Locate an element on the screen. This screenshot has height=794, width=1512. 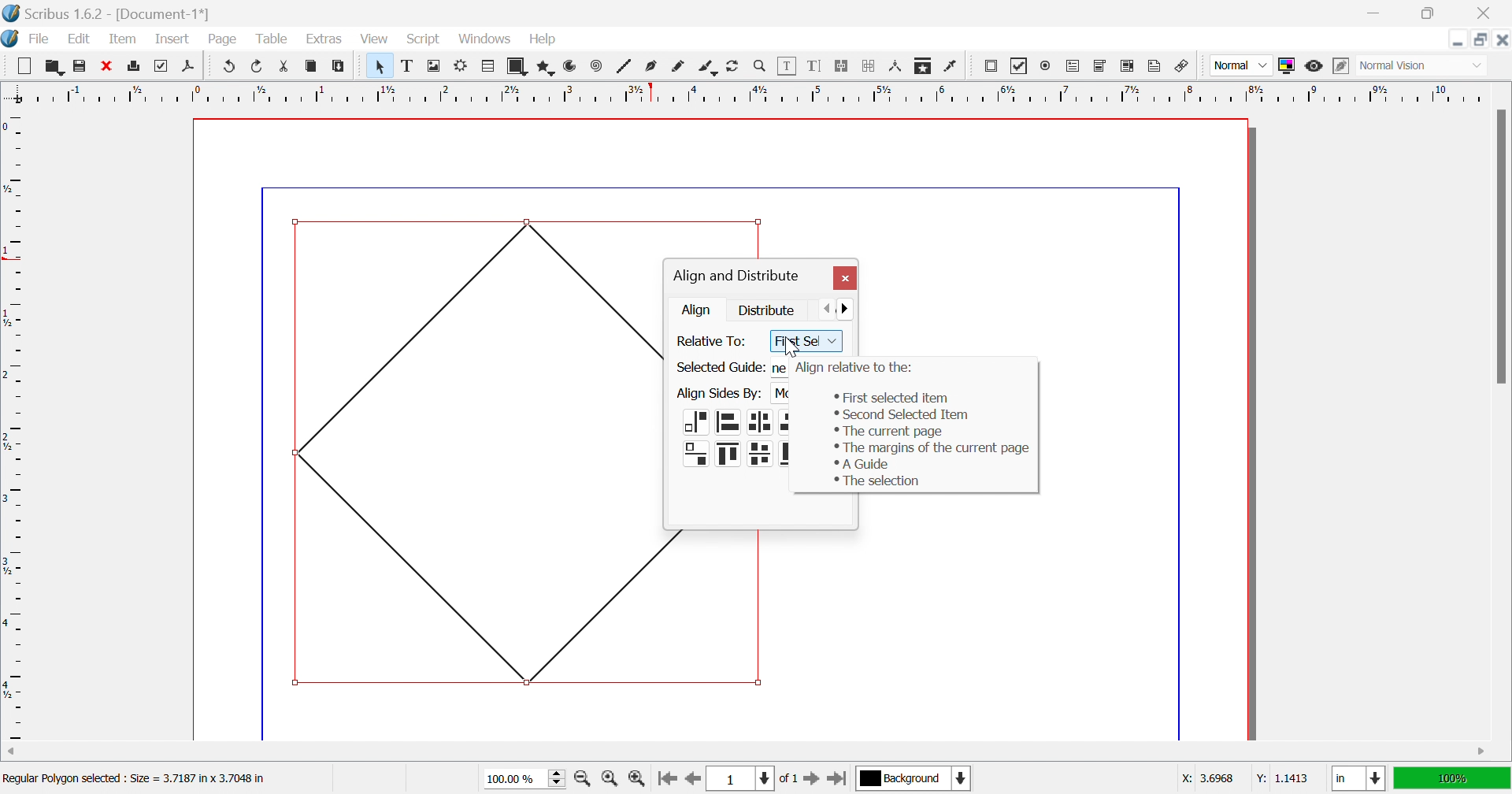
New is located at coordinates (24, 66).